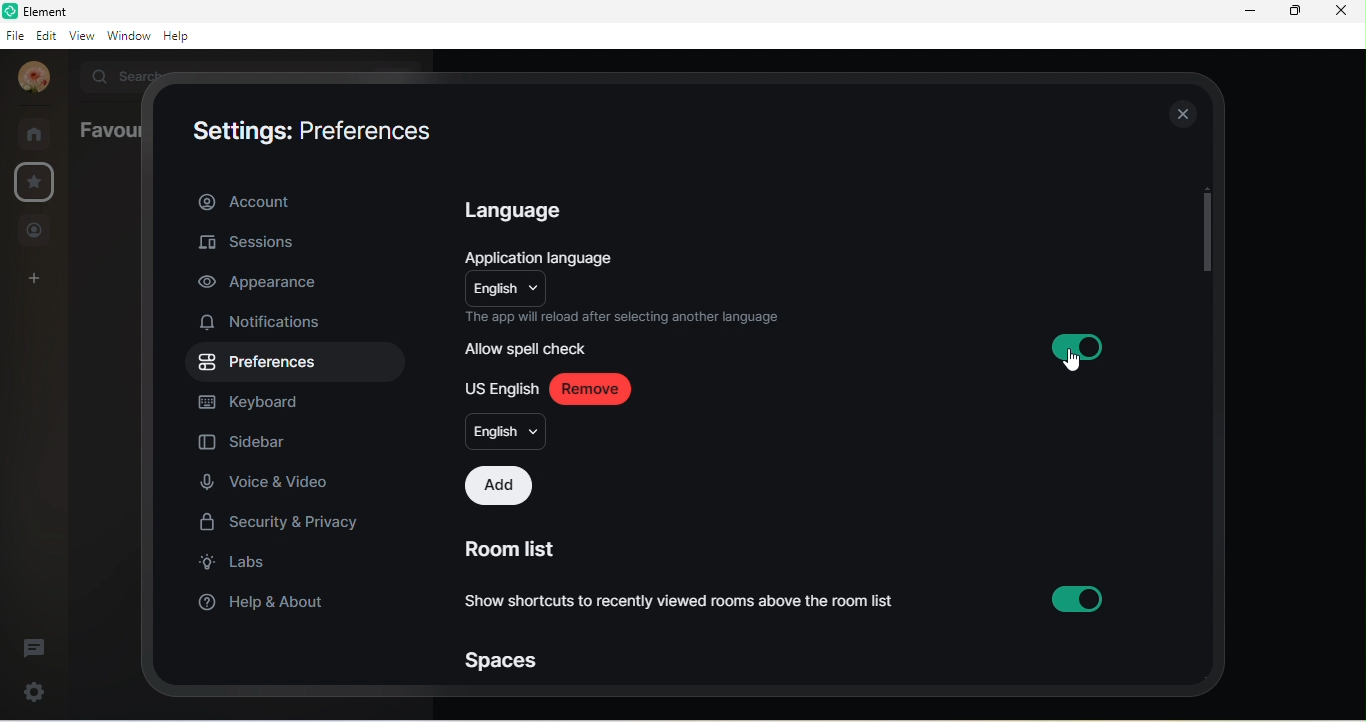 The width and height of the screenshot is (1366, 722). What do you see at coordinates (1255, 12) in the screenshot?
I see `minimize` at bounding box center [1255, 12].